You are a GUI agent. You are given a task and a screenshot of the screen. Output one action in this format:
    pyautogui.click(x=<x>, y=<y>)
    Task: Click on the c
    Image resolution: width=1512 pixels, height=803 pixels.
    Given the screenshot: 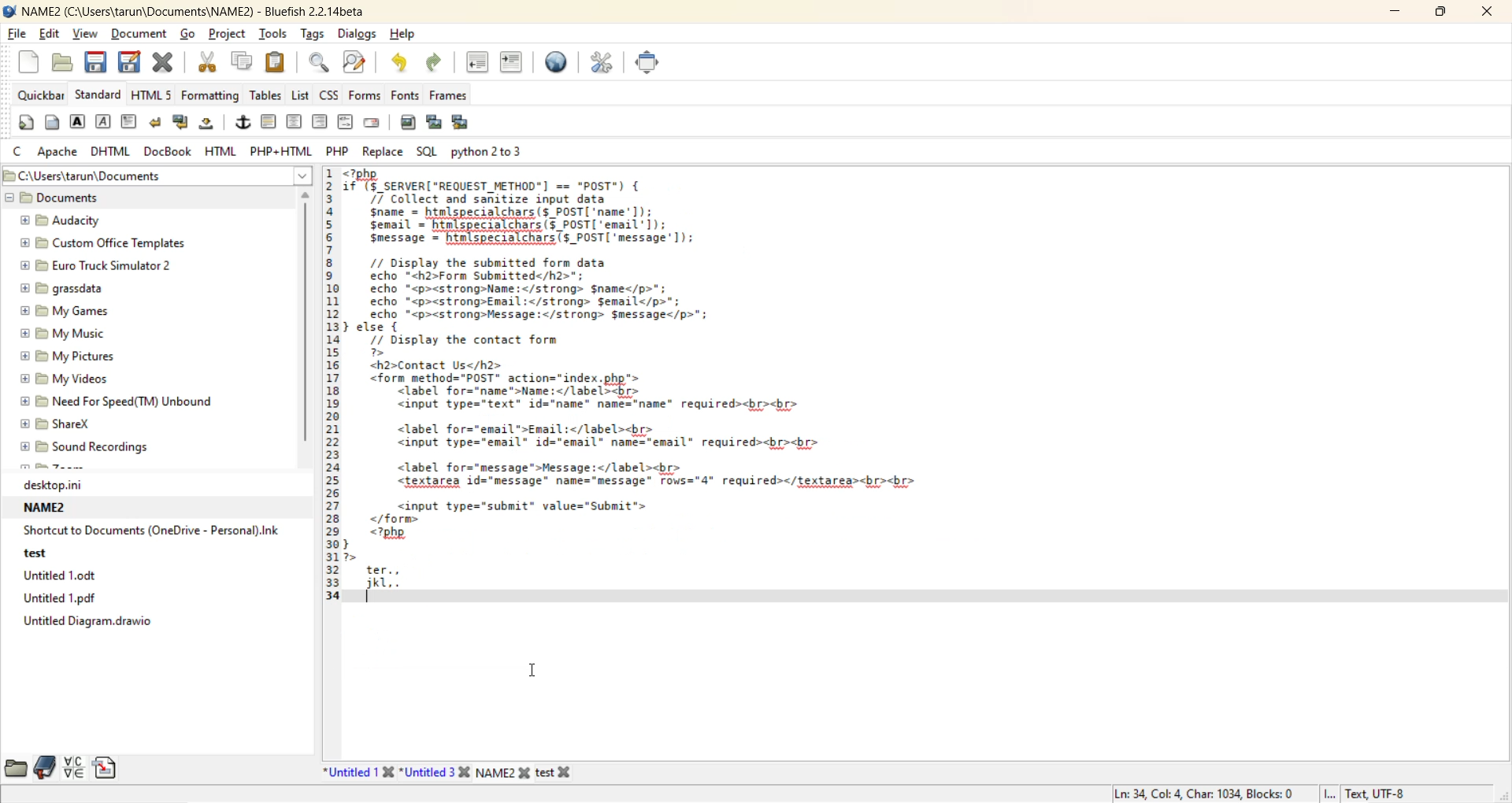 What is the action you would take?
    pyautogui.click(x=19, y=151)
    